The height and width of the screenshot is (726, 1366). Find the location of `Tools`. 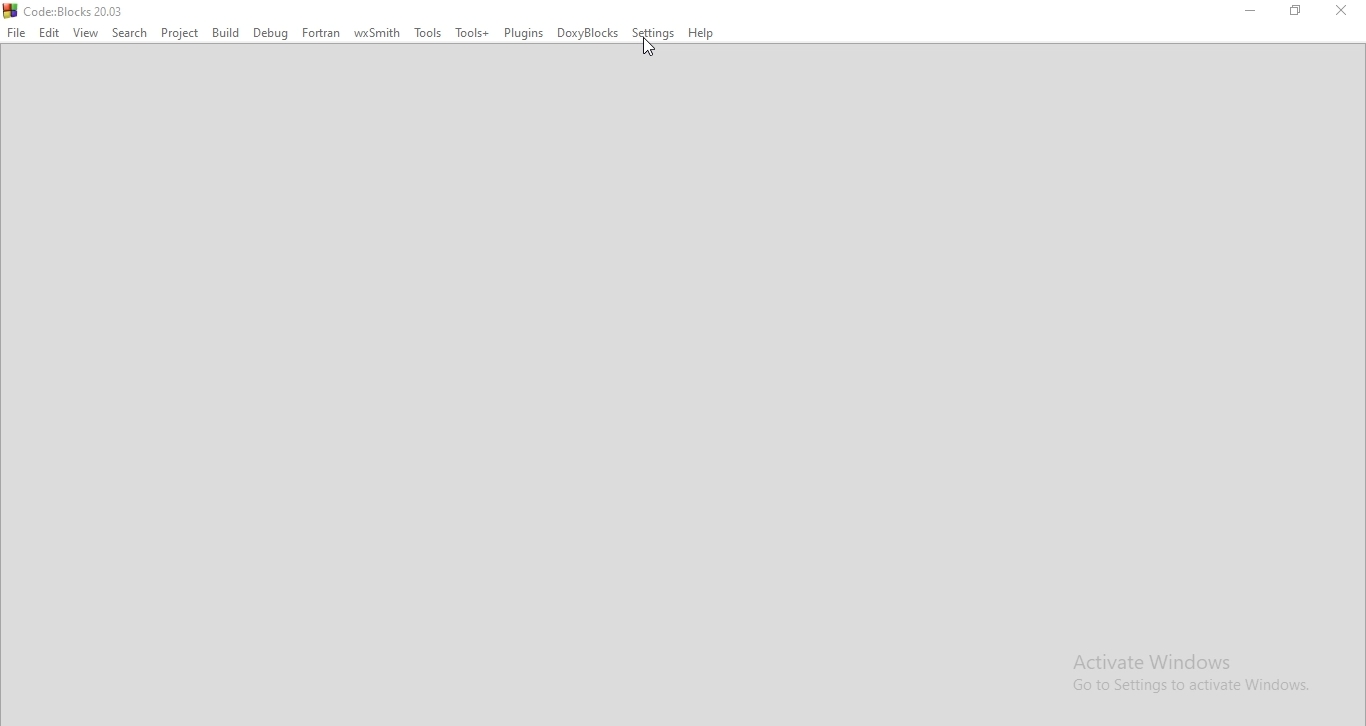

Tools is located at coordinates (430, 36).